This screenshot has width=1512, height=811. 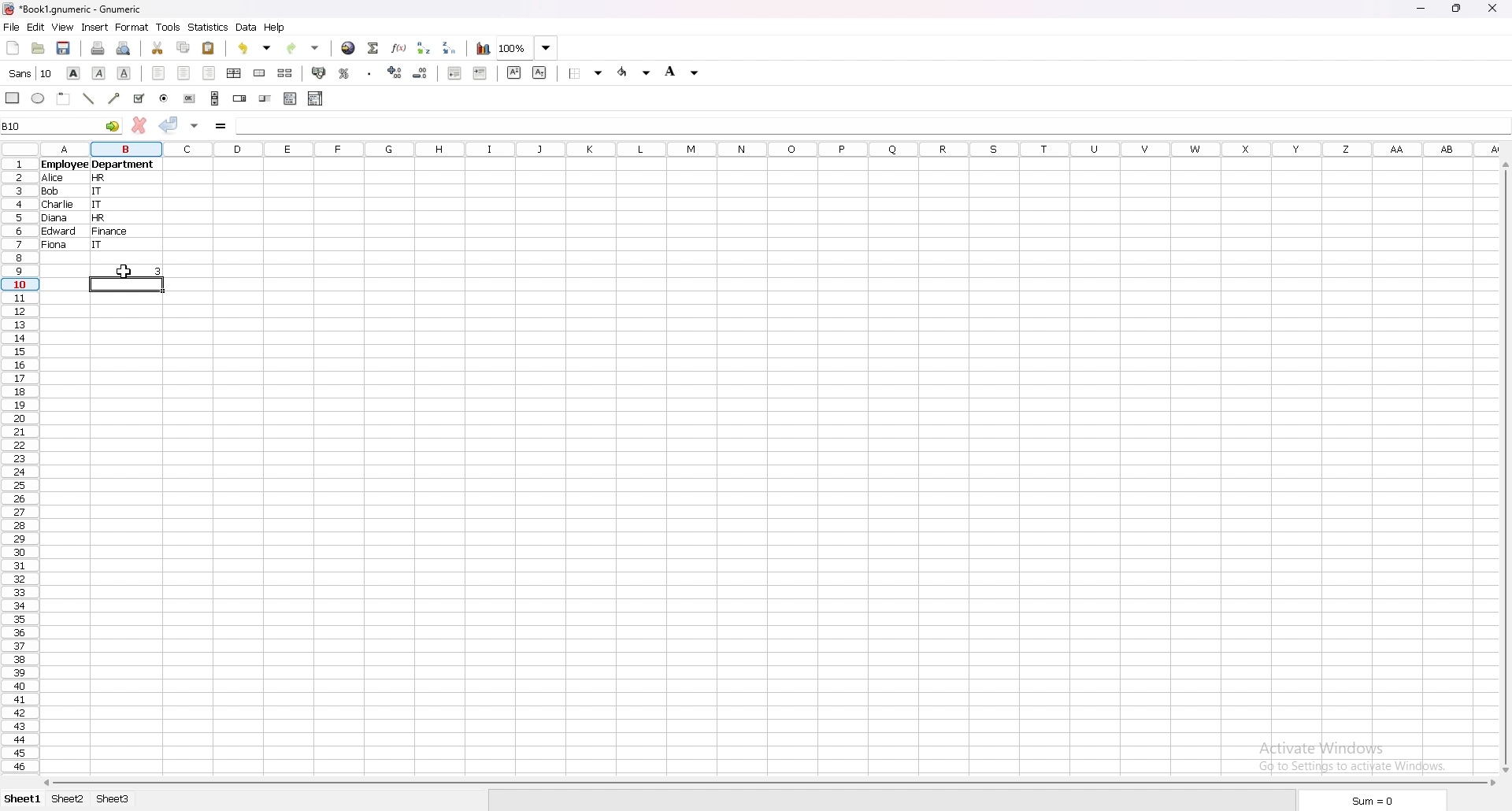 I want to click on formula, so click(x=220, y=125).